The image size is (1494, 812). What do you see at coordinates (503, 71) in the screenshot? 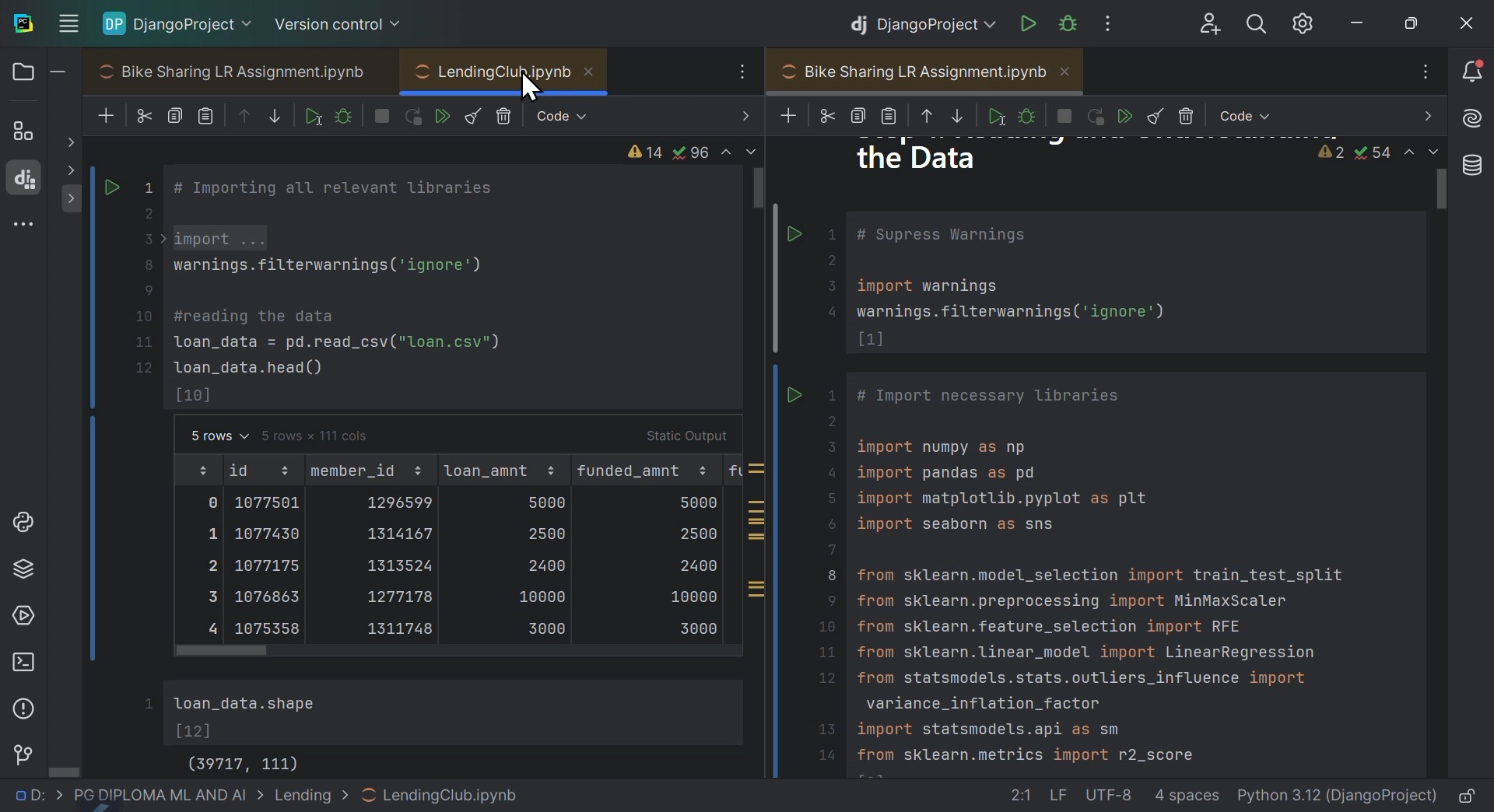
I see `LendingCluR.ipynb` at bounding box center [503, 71].